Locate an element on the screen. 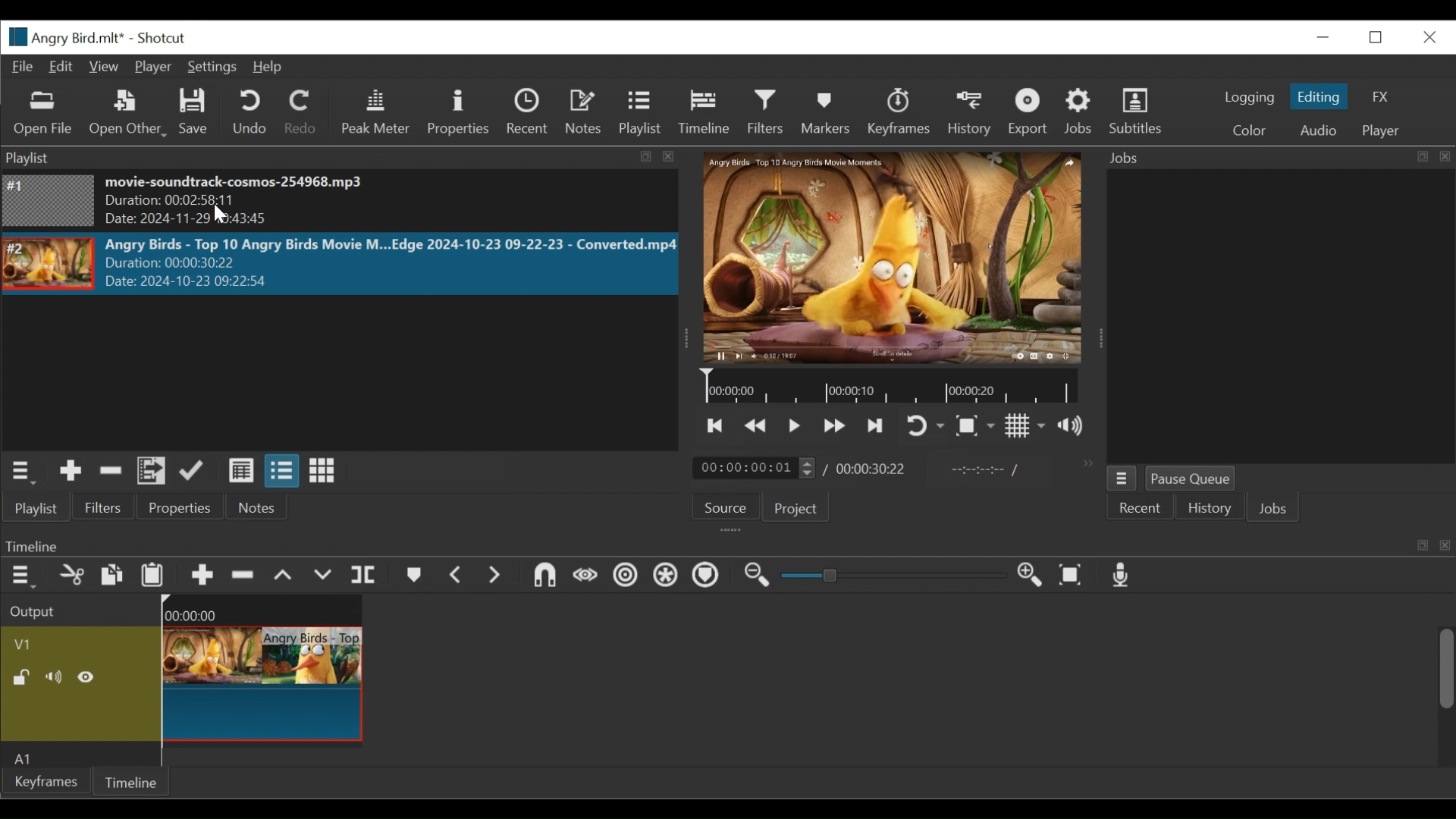 The height and width of the screenshot is (819, 1456). History is located at coordinates (968, 113).